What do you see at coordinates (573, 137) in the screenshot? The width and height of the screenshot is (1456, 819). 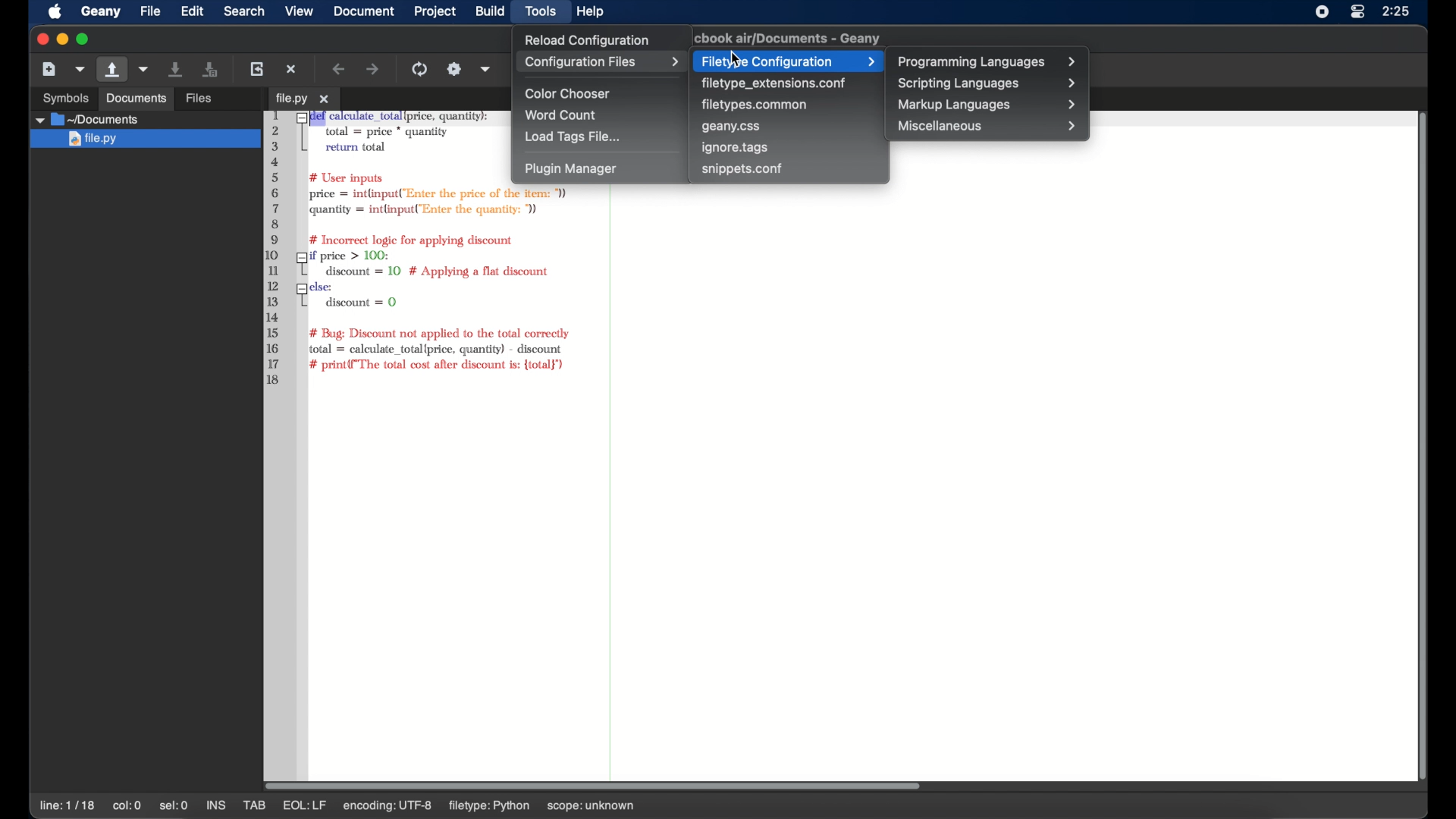 I see `load tags file..` at bounding box center [573, 137].